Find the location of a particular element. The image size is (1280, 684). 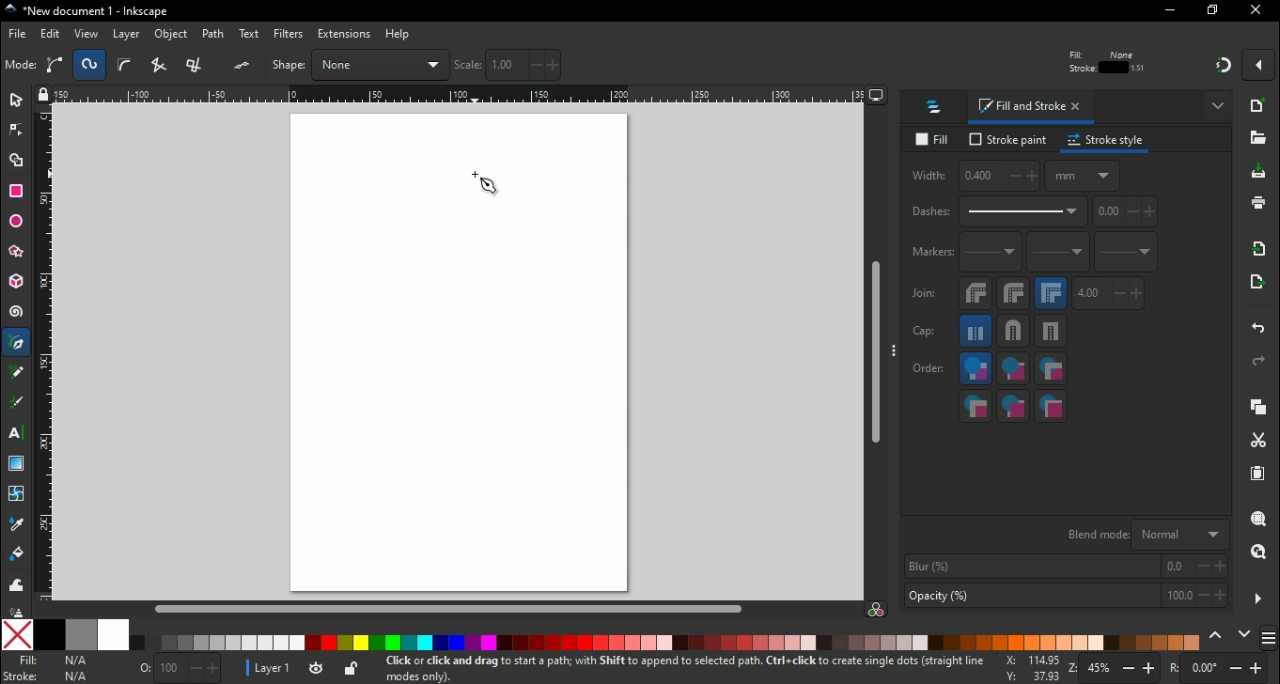

shortcuts and notifications is located at coordinates (679, 667).